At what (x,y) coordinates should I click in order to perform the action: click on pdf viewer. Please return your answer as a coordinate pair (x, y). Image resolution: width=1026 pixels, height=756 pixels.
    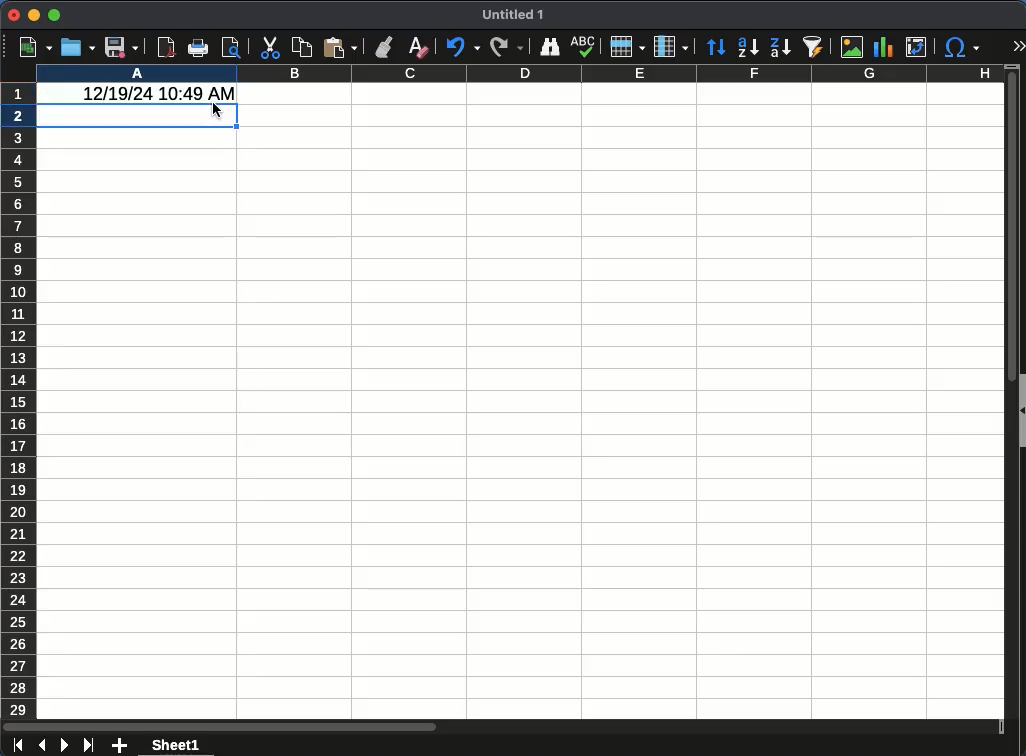
    Looking at the image, I should click on (167, 48).